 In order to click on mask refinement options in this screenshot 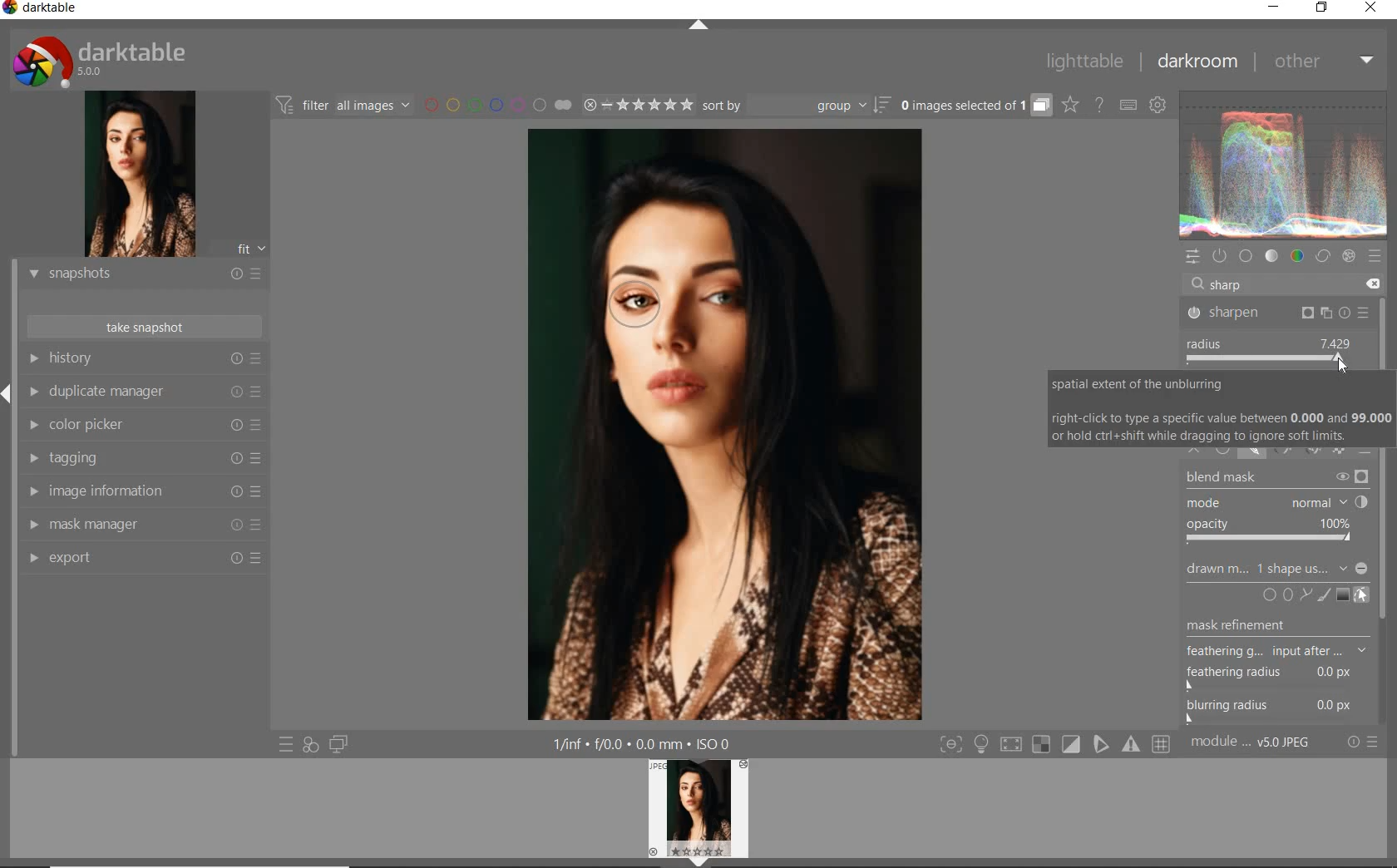, I will do `click(1278, 653)`.